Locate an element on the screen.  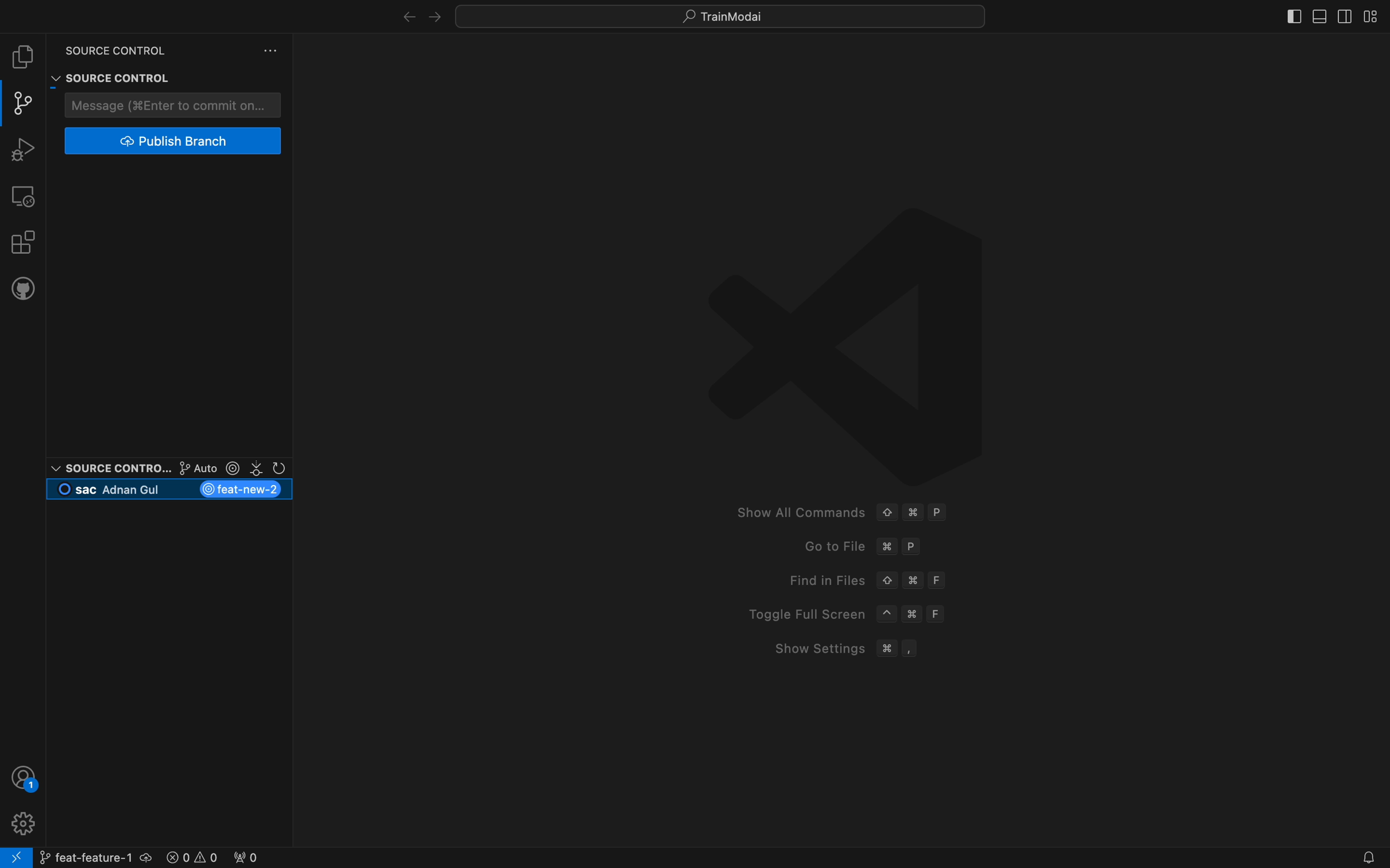
Up is located at coordinates (886, 511).